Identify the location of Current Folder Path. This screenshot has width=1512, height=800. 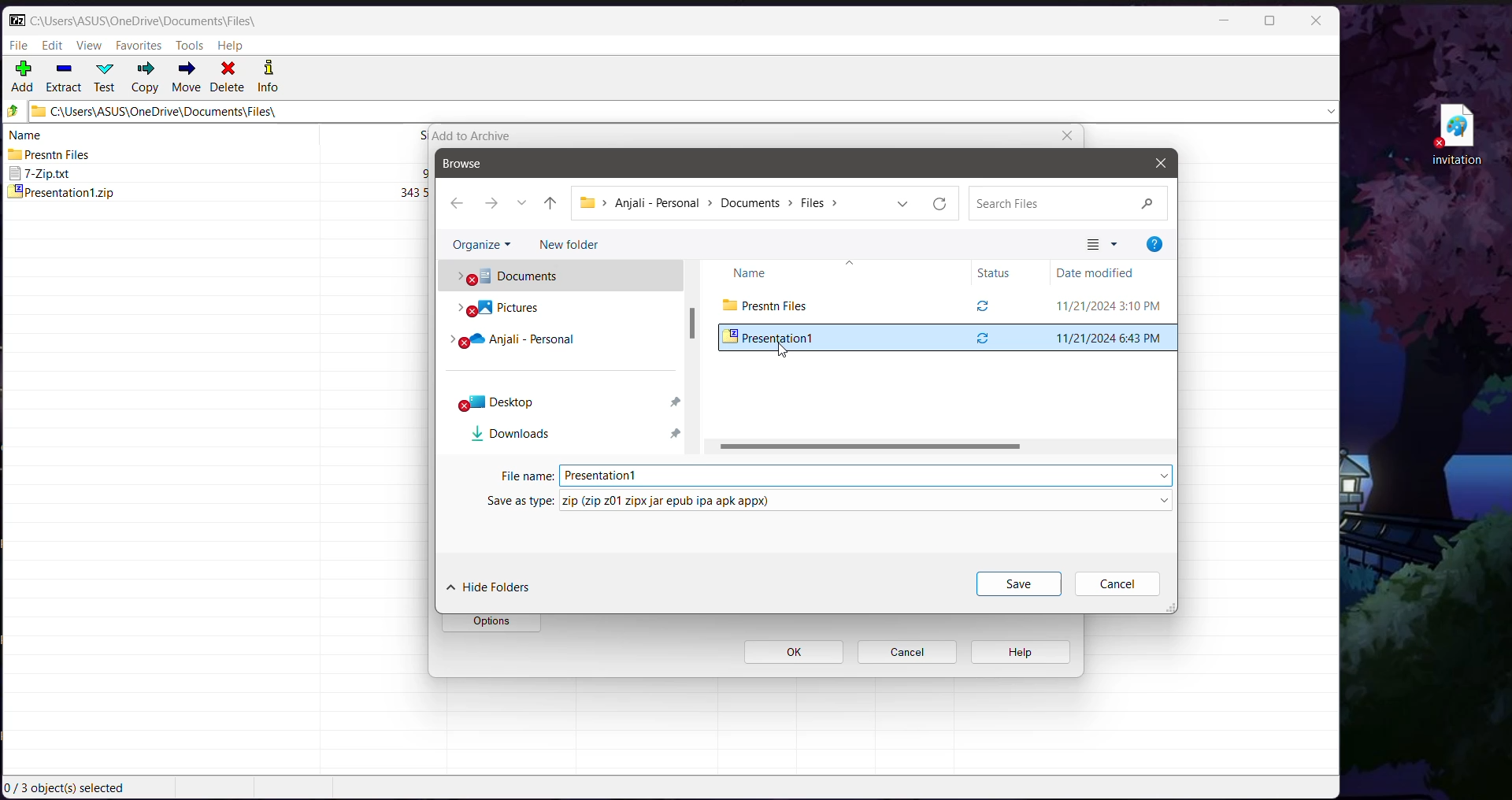
(682, 113).